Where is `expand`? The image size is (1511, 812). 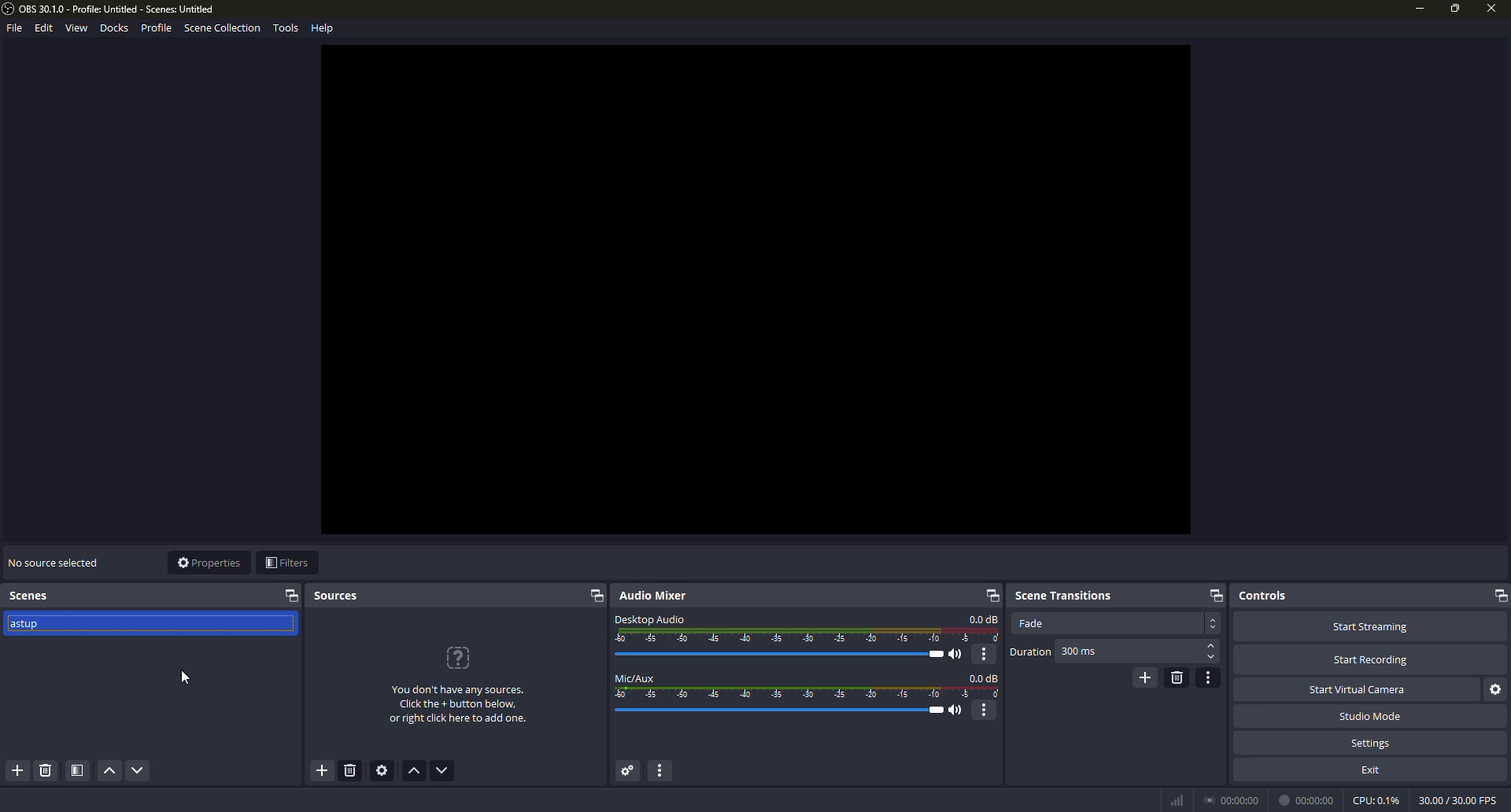 expand is located at coordinates (1498, 596).